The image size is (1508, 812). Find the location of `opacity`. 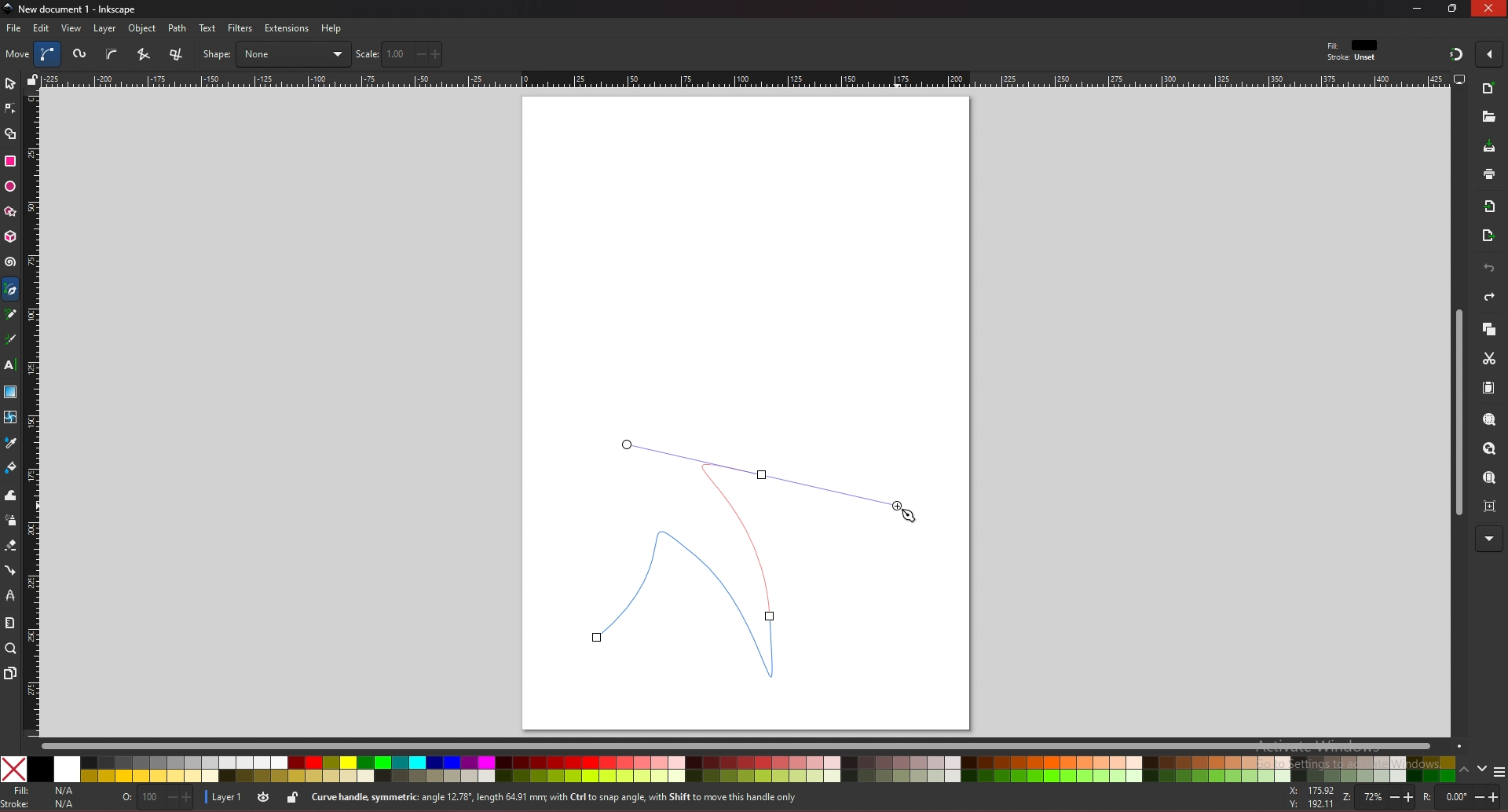

opacity is located at coordinates (159, 799).